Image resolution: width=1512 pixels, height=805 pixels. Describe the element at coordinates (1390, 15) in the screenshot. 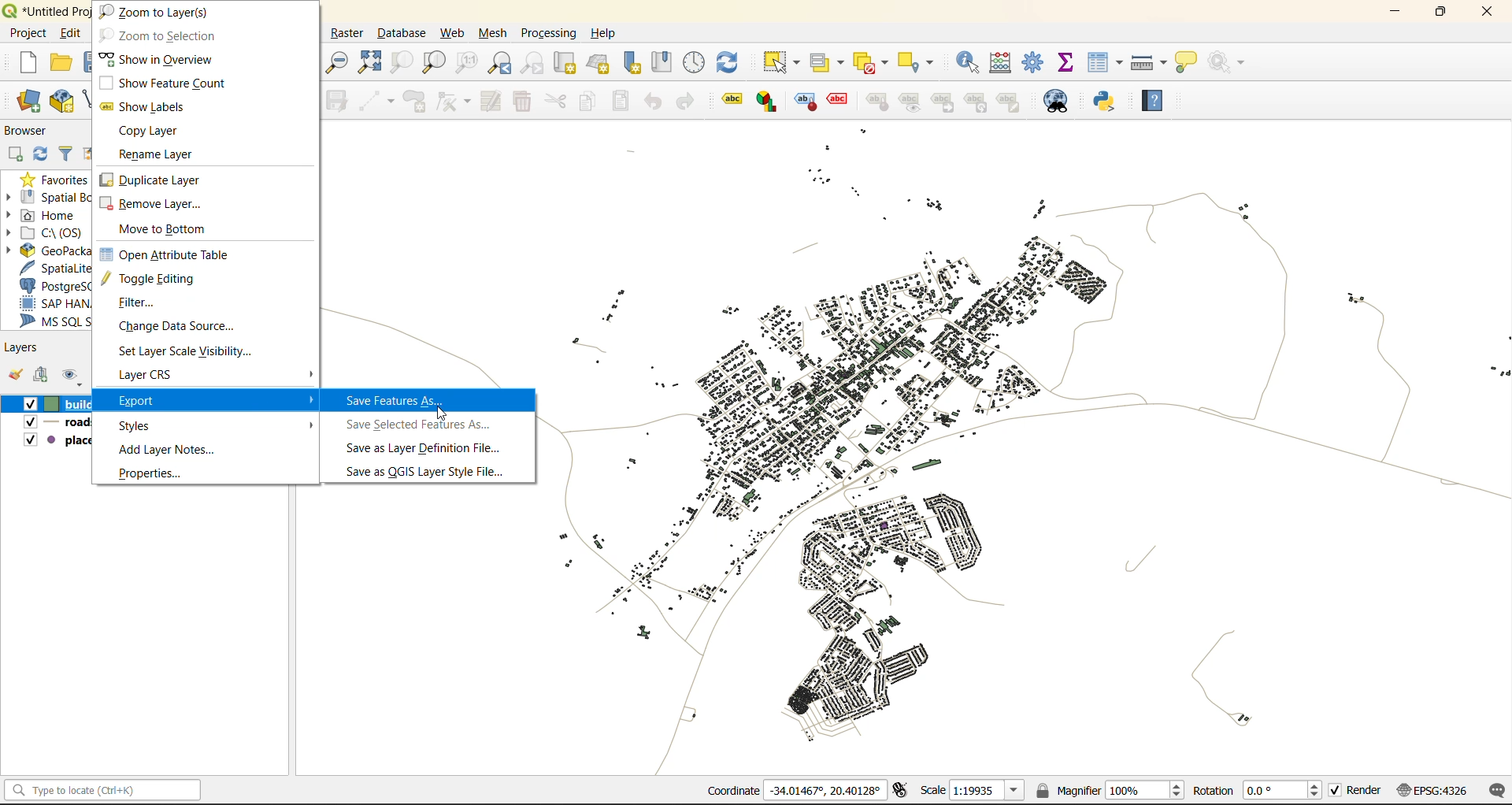

I see `minimize` at that location.